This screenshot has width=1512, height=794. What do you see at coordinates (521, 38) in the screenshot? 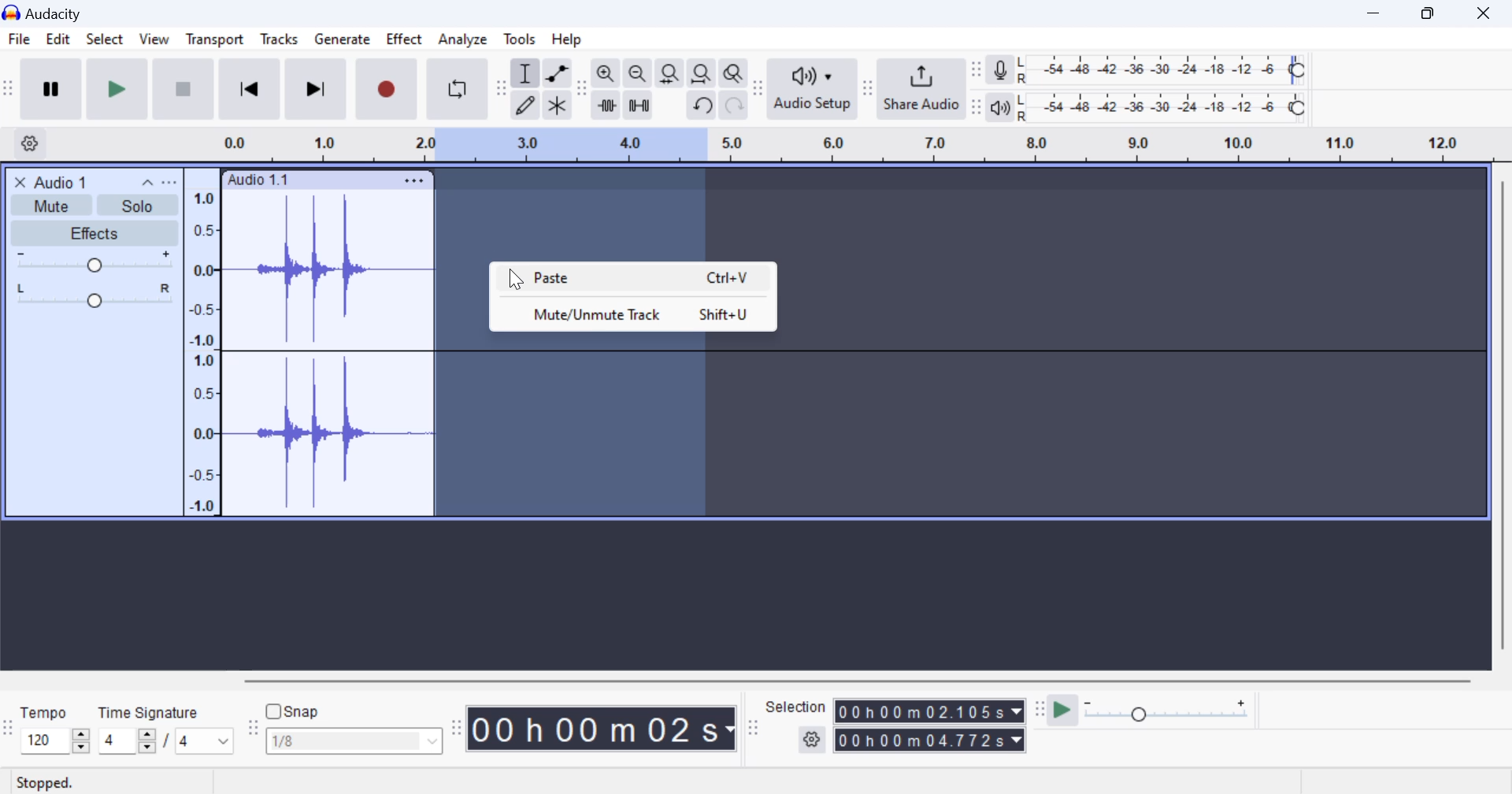
I see `Tools` at bounding box center [521, 38].